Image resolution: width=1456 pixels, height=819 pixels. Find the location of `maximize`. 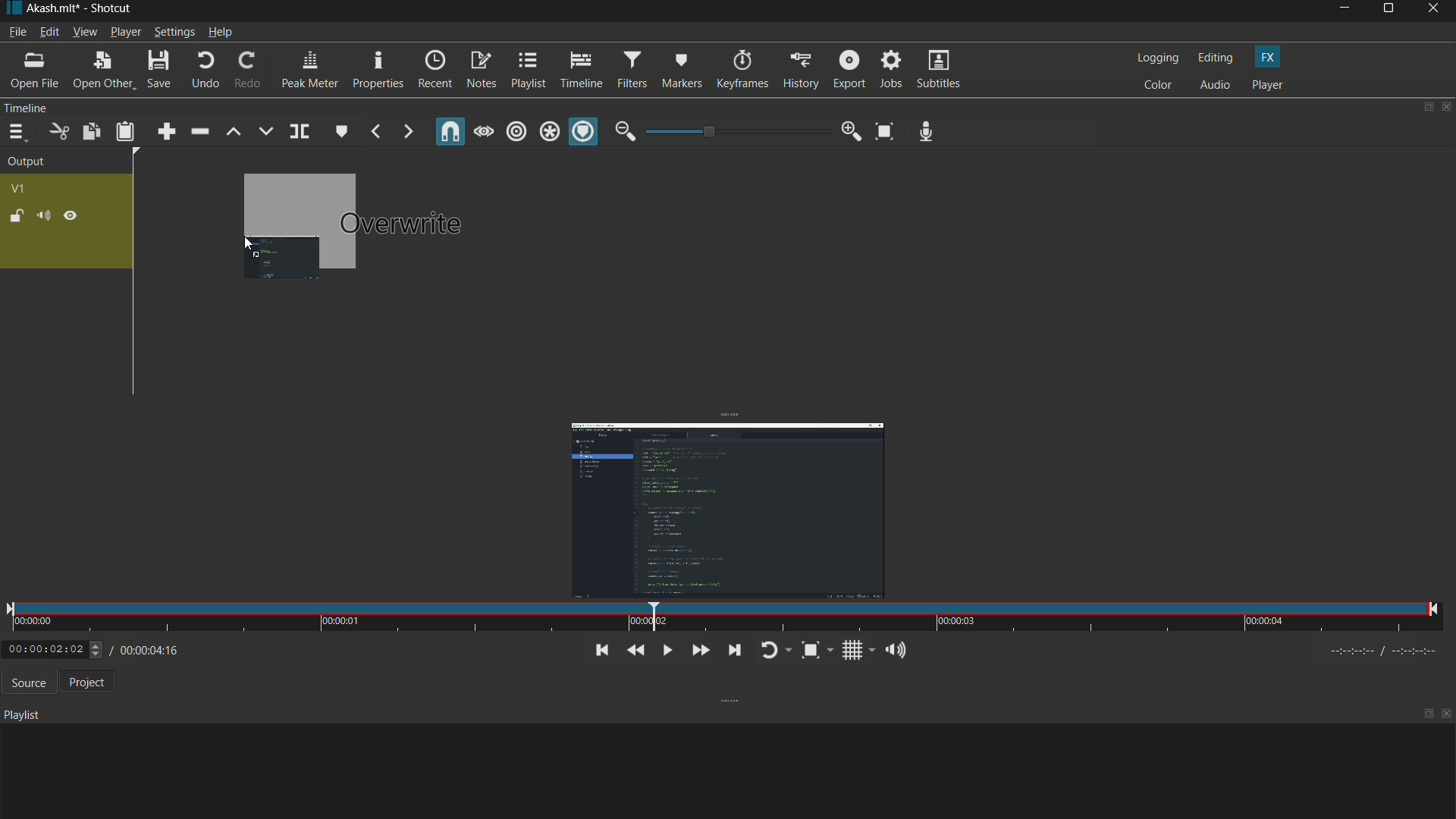

maximize is located at coordinates (1390, 11).